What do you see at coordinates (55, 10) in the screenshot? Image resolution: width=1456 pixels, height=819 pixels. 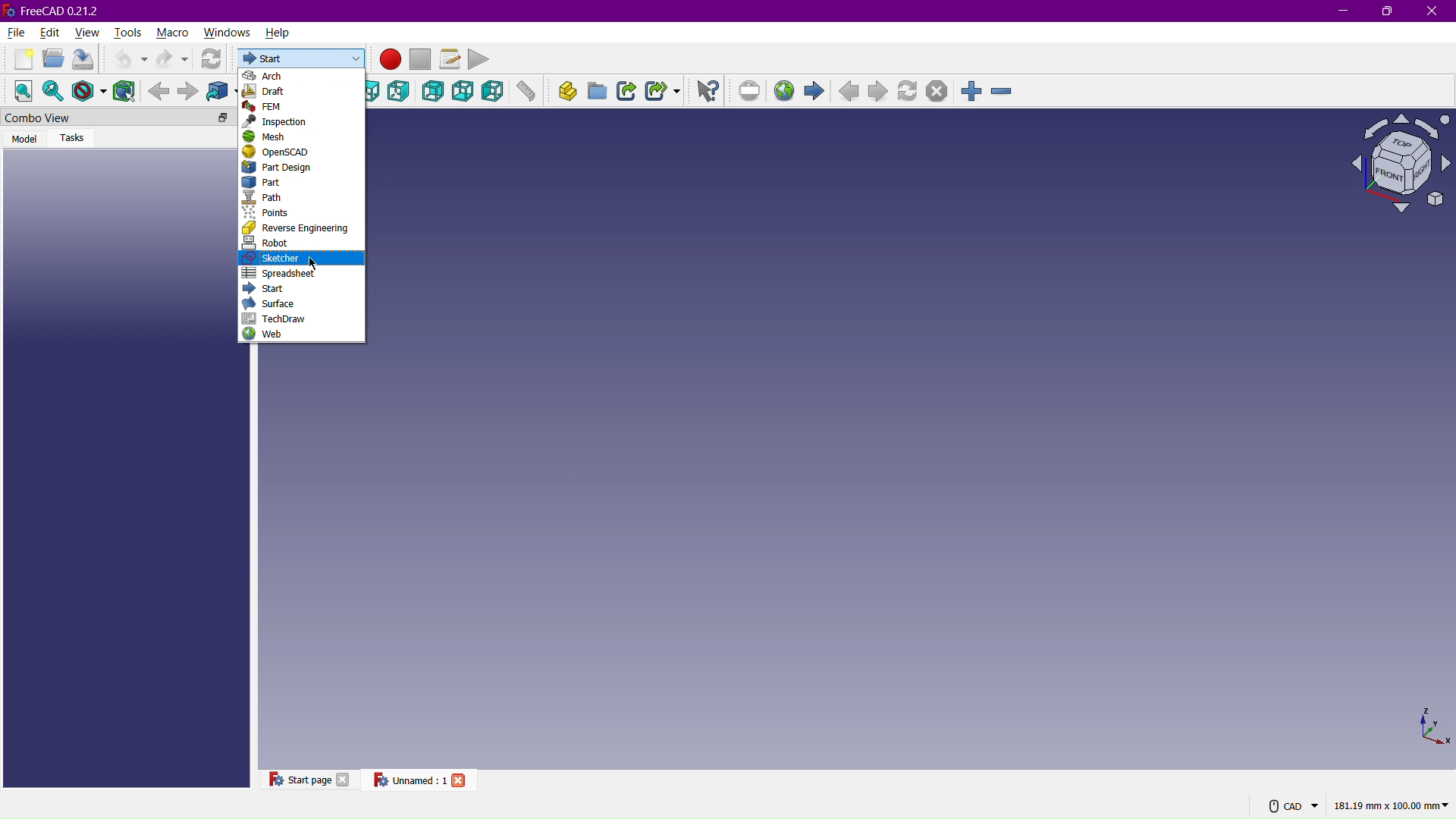 I see `FreeCAD 0.21.2` at bounding box center [55, 10].